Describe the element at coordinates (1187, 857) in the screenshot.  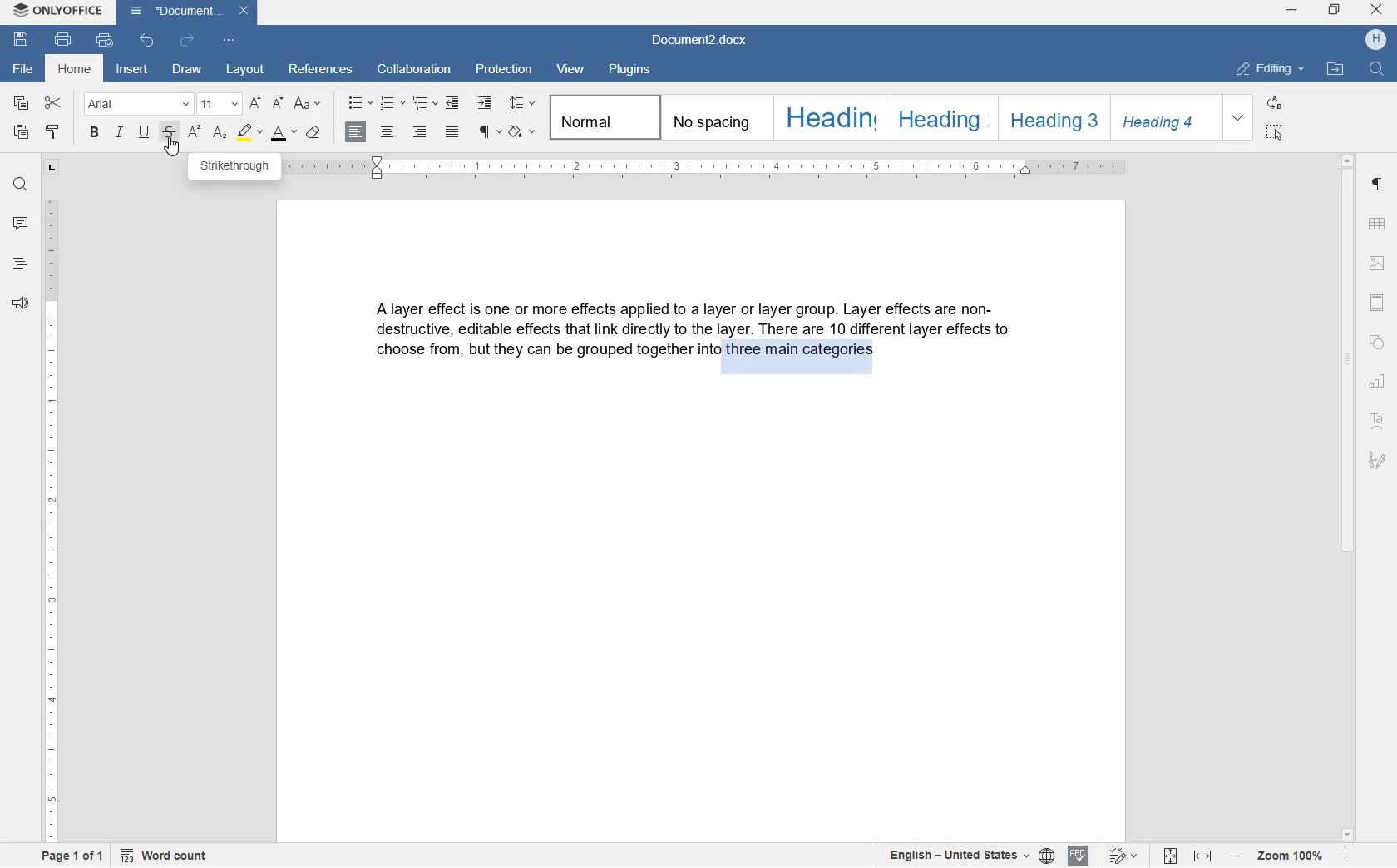
I see `fit to page or width` at that location.